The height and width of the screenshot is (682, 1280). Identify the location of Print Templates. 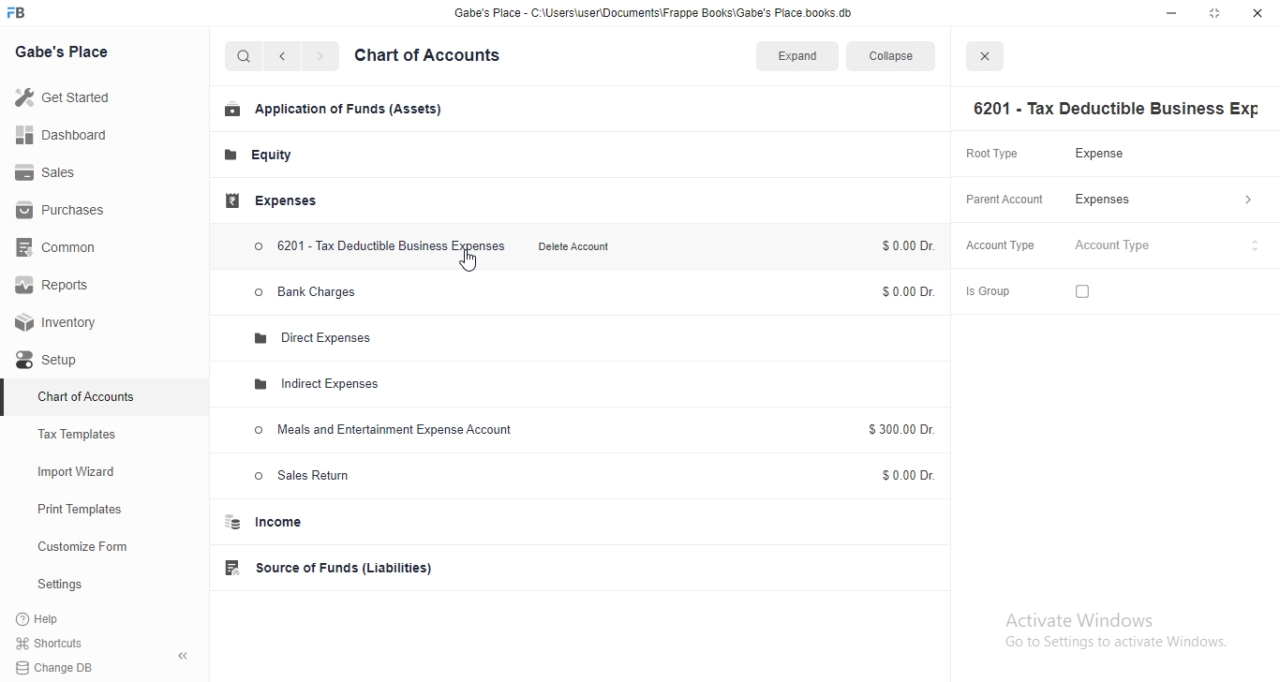
(78, 508).